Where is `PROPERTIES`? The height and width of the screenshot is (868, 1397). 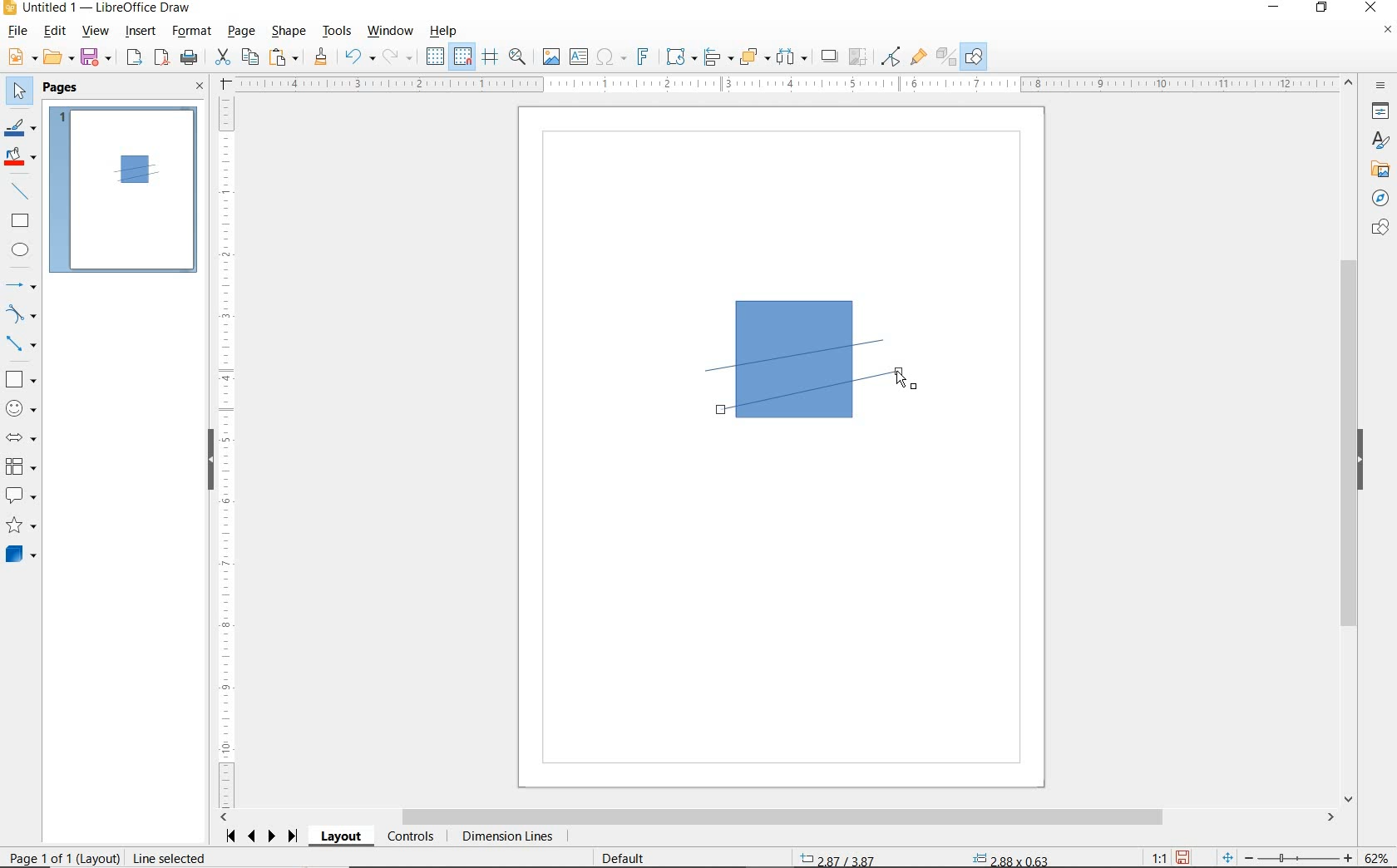
PROPERTIES is located at coordinates (1378, 113).